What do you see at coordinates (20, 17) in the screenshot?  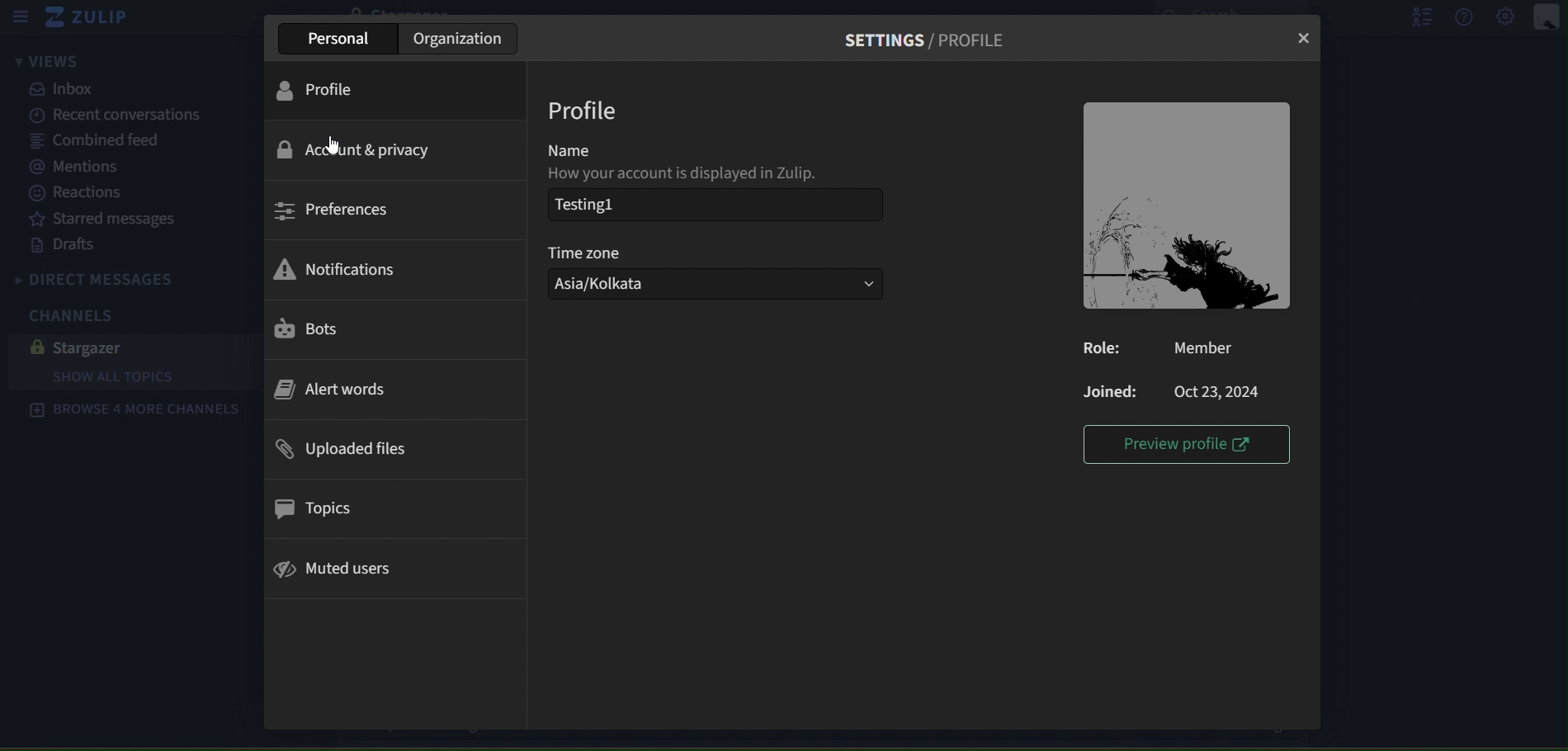 I see `sidebar` at bounding box center [20, 17].